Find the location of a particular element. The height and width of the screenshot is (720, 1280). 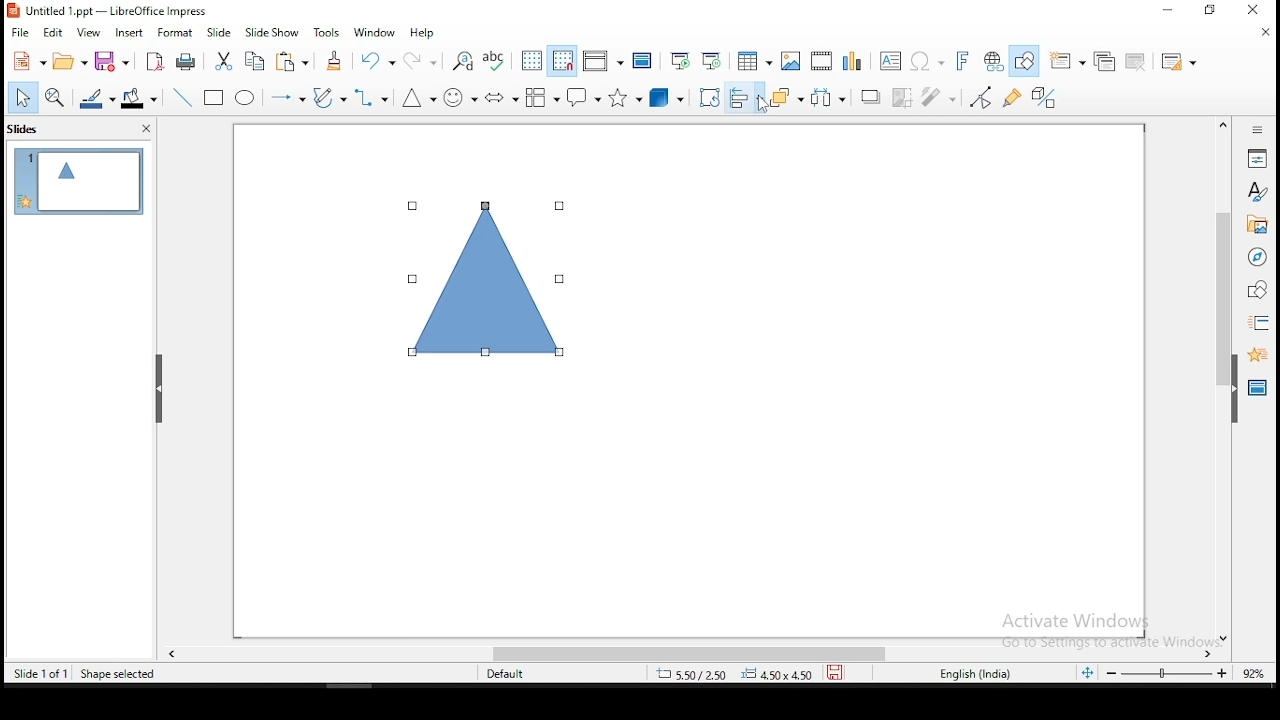

0.00x 0.00 is located at coordinates (777, 675).